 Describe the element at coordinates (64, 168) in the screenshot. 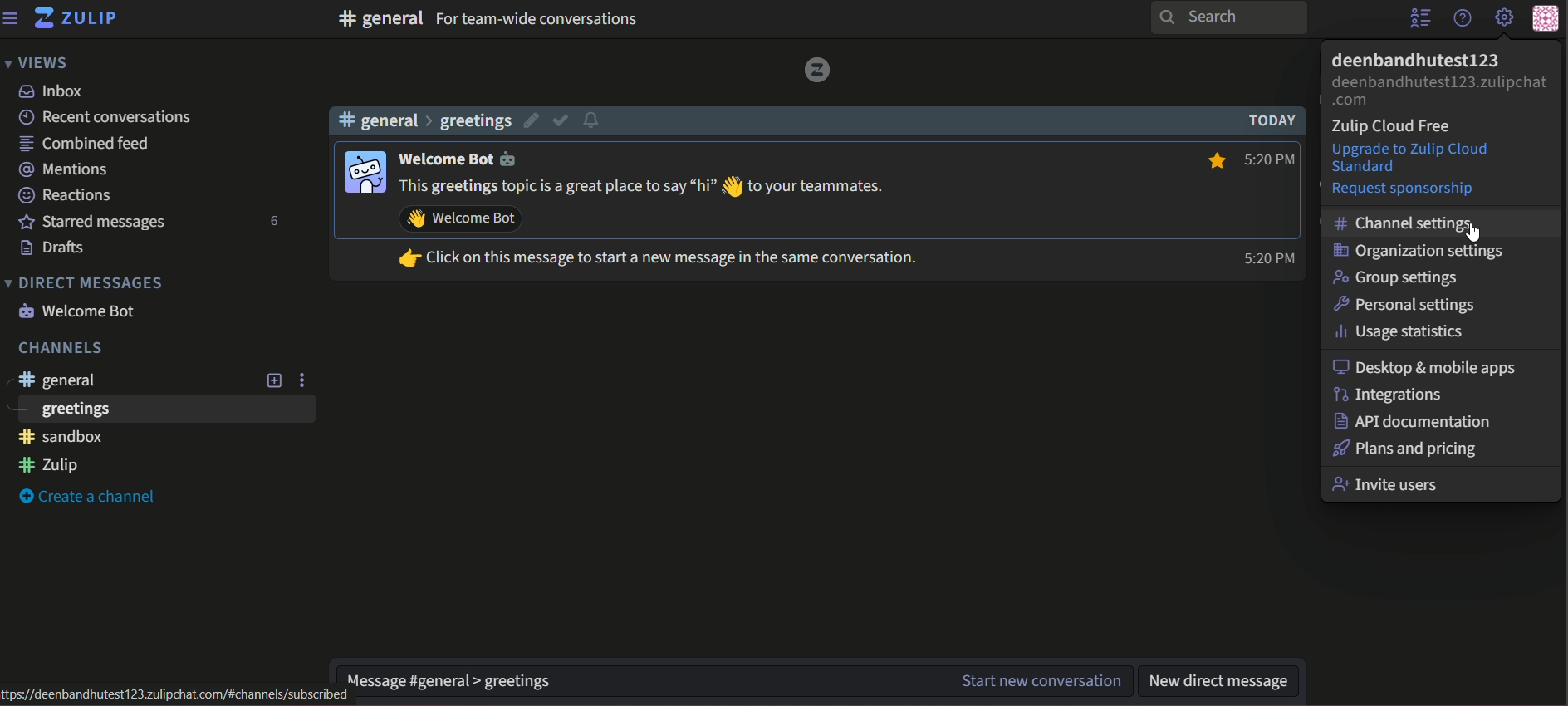

I see `mentions` at that location.